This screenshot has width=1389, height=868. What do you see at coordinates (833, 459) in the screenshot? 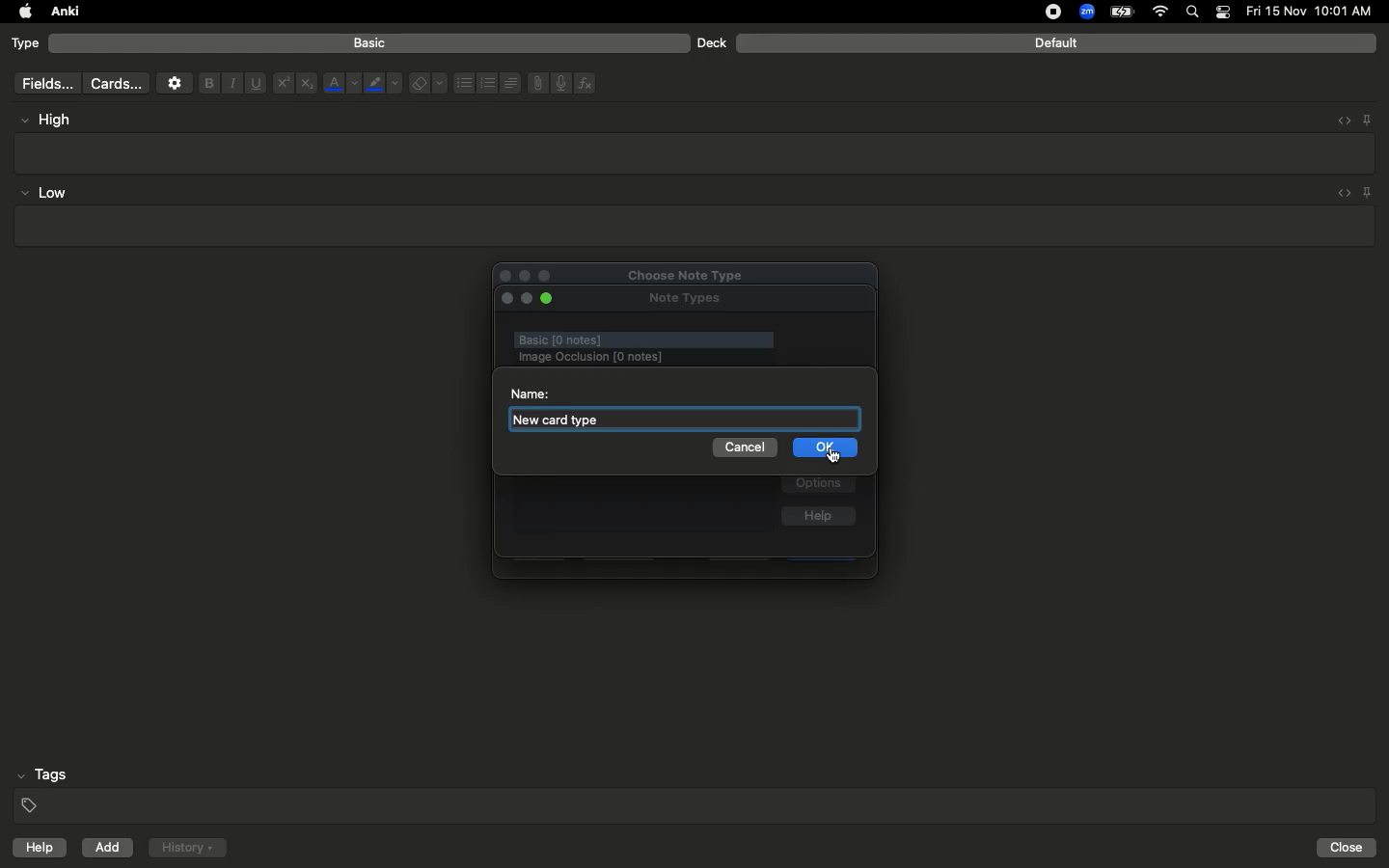
I see `cursor` at bounding box center [833, 459].